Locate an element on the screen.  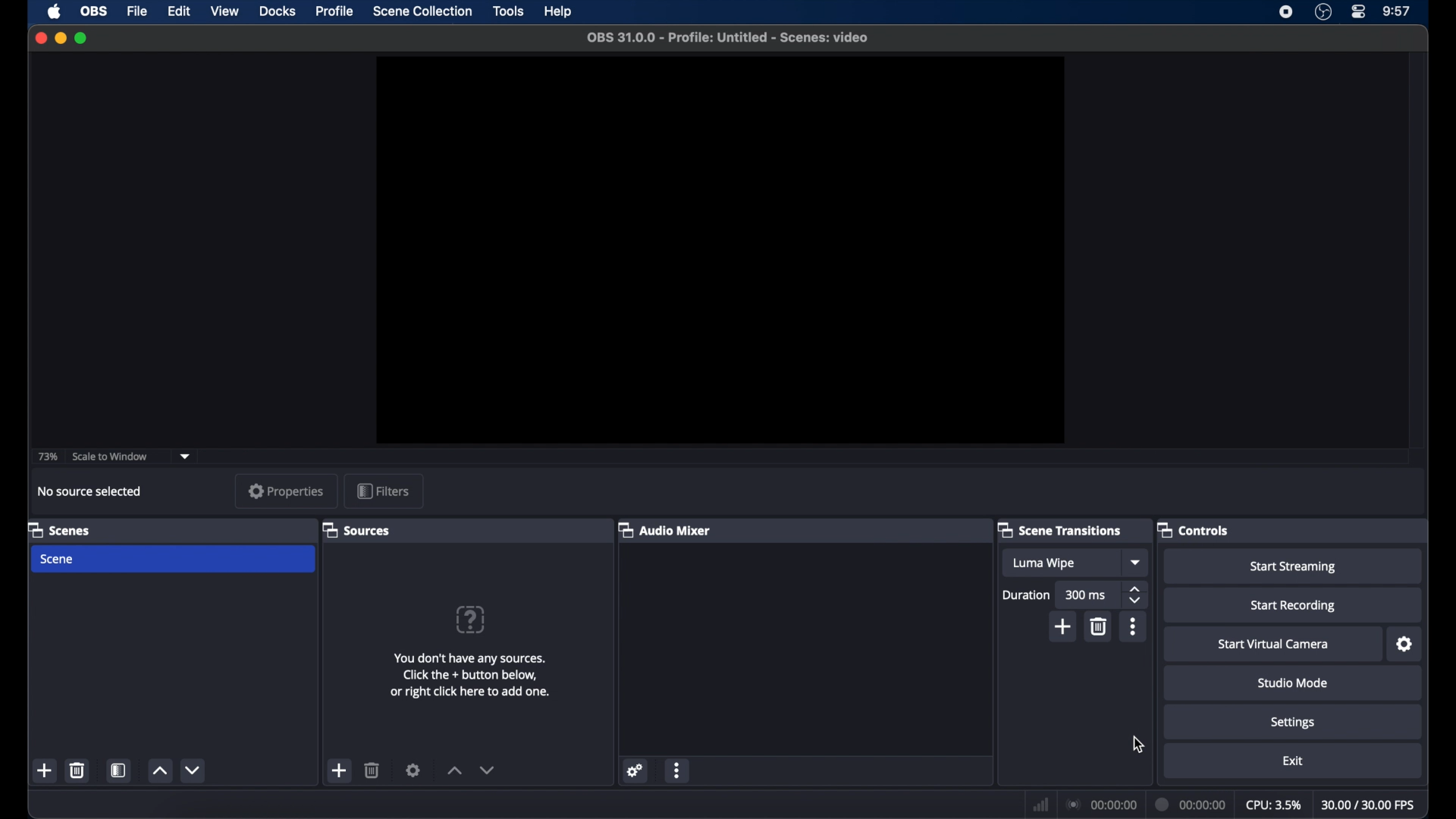
controls is located at coordinates (1193, 529).